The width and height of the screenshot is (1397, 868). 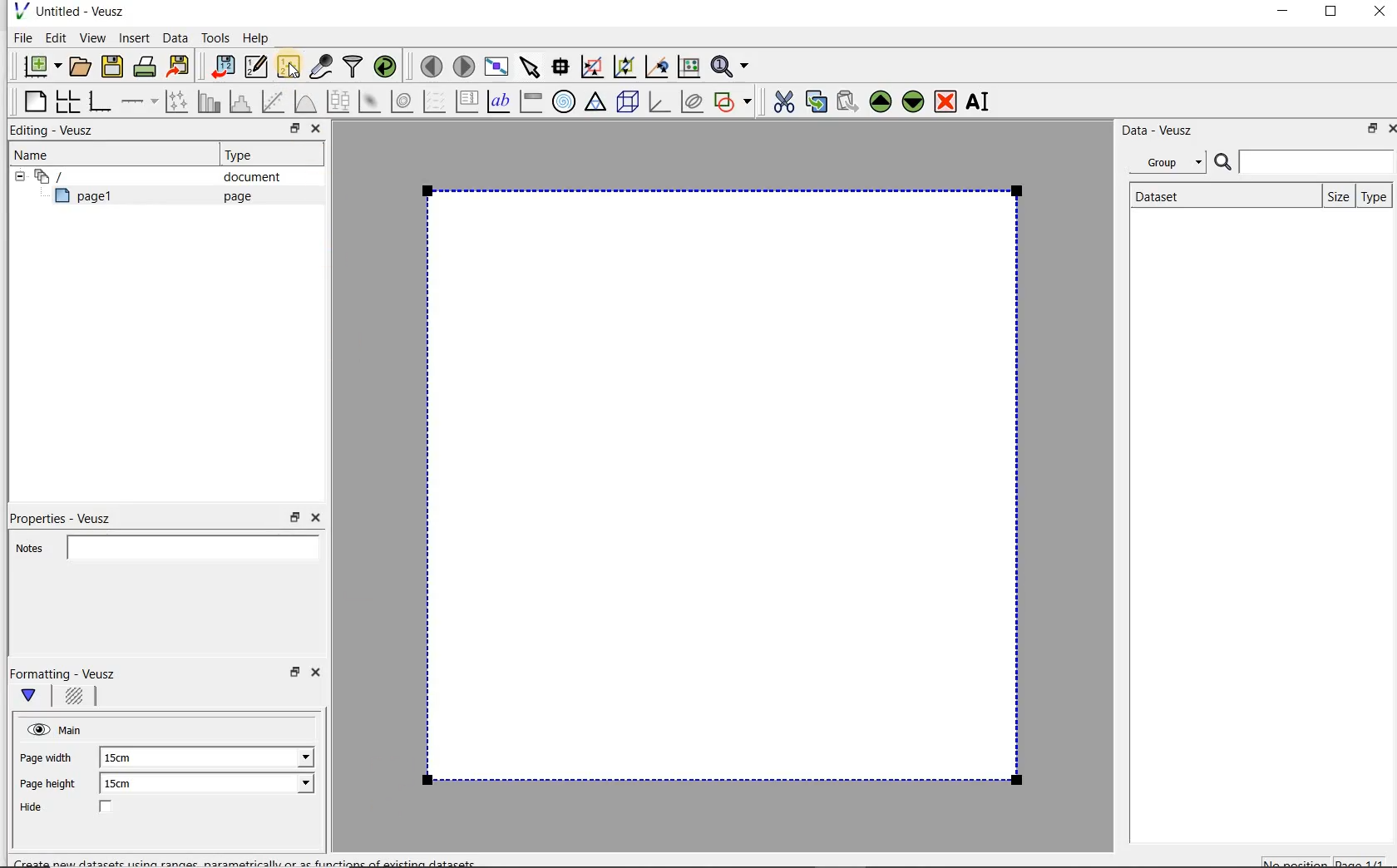 What do you see at coordinates (53, 786) in the screenshot?
I see `Page height` at bounding box center [53, 786].